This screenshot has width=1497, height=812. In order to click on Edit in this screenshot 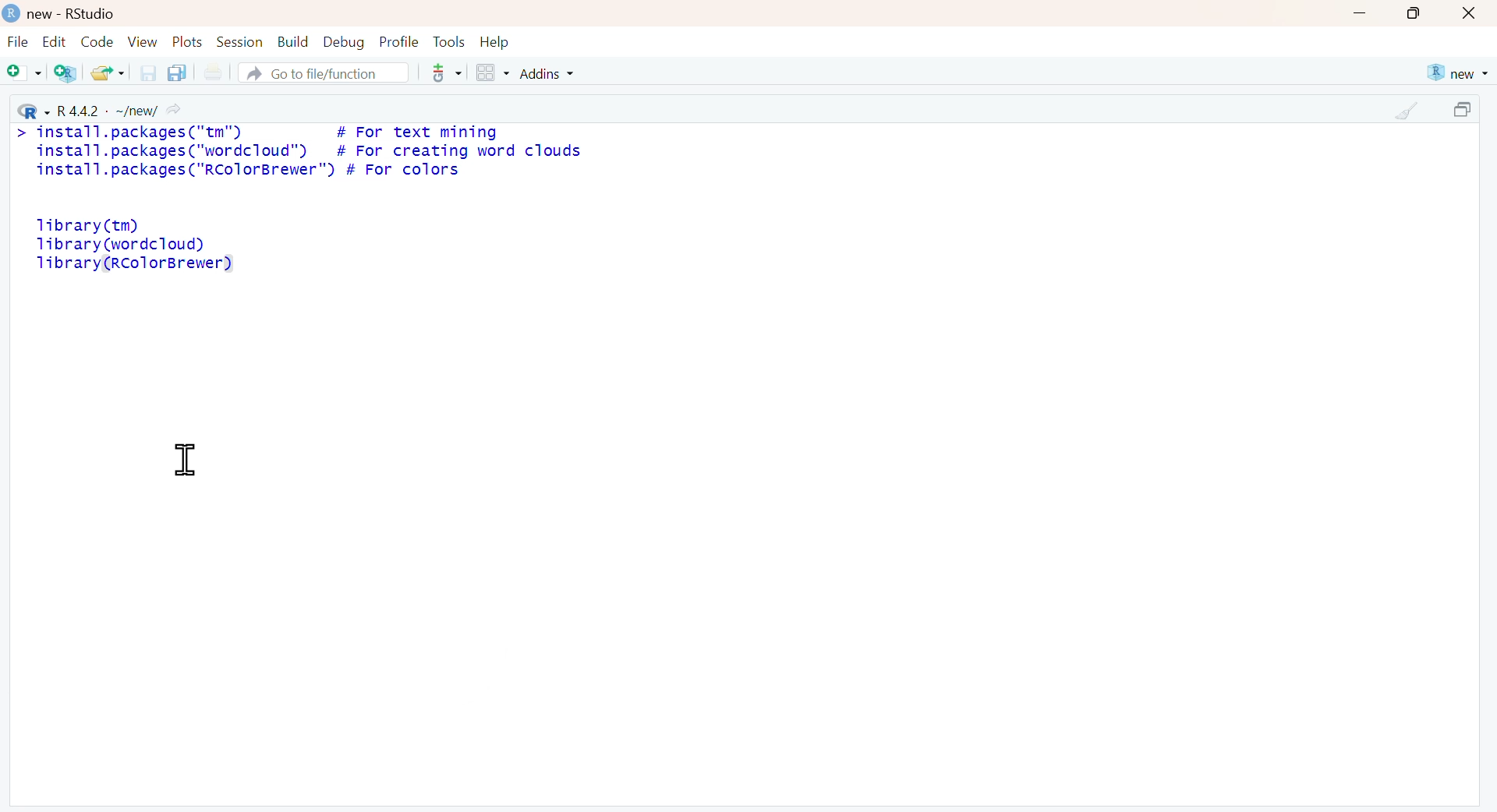, I will do `click(53, 42)`.